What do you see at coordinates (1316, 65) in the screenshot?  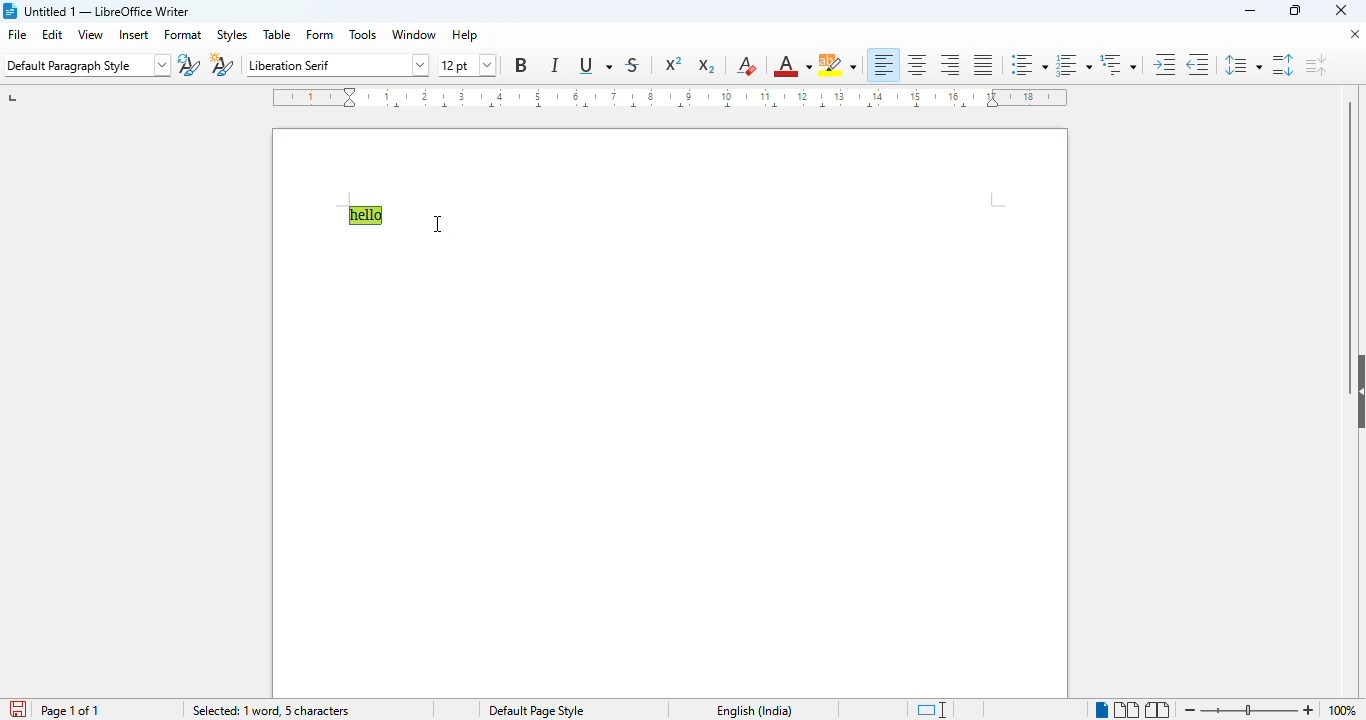 I see `decrease paragraph spacing` at bounding box center [1316, 65].